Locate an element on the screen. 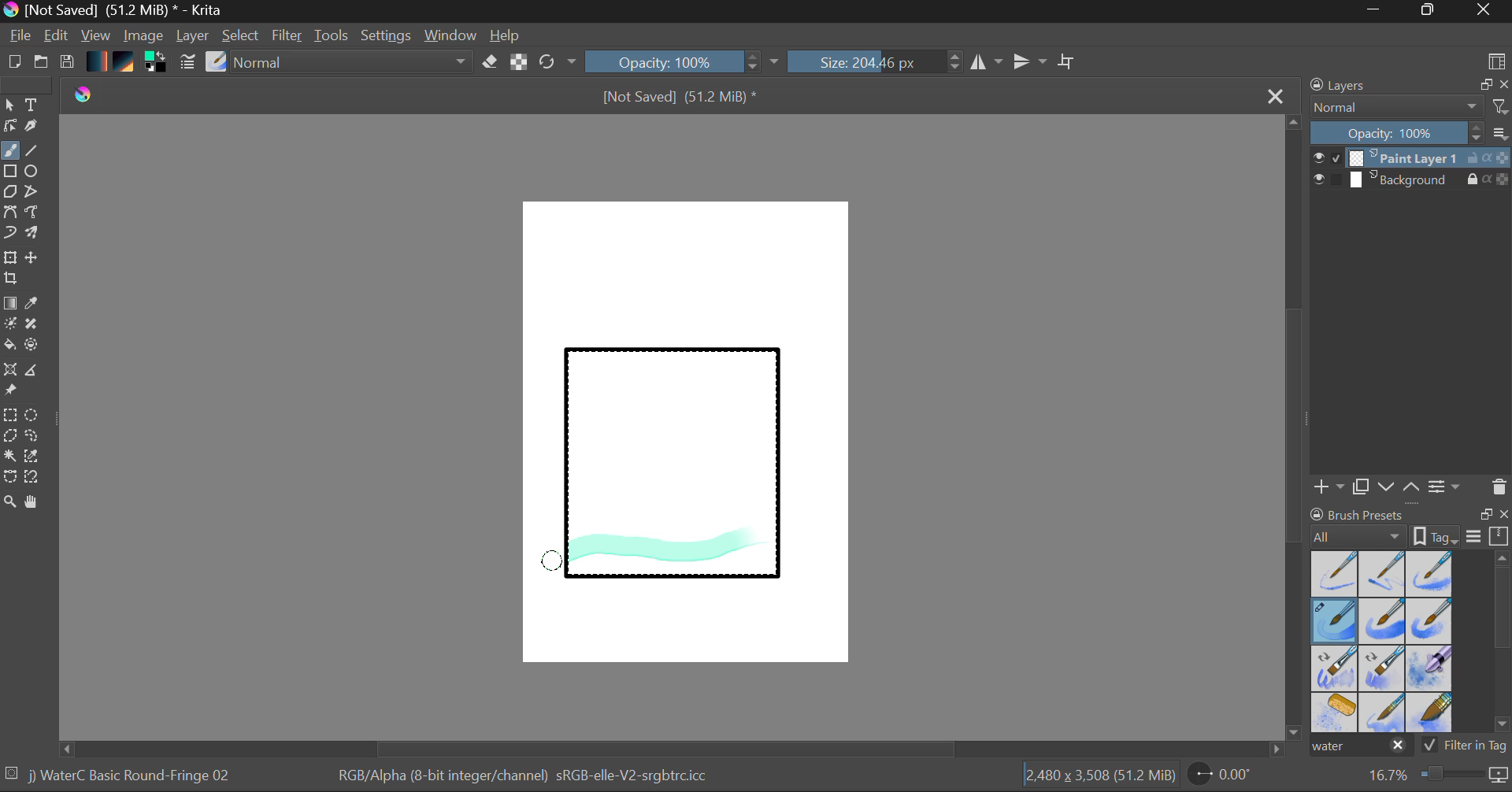  Blending Tool is located at coordinates (354, 63).